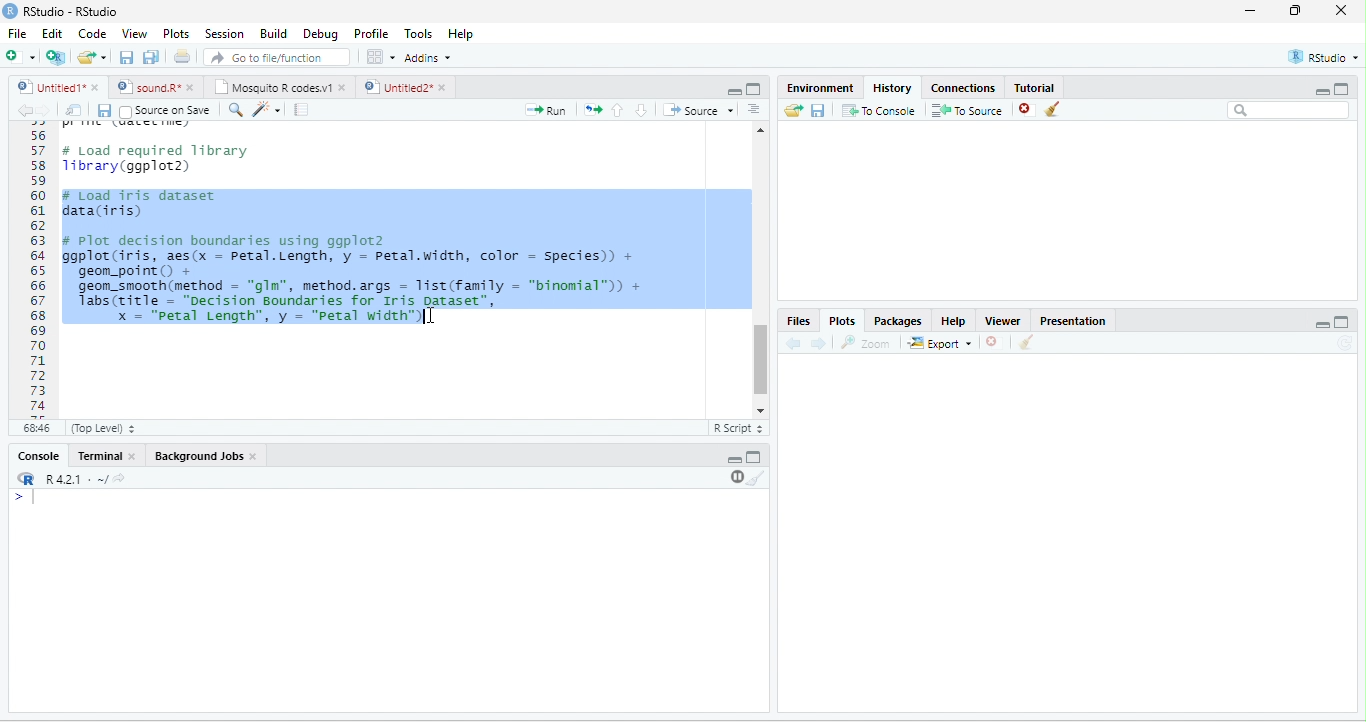 This screenshot has height=722, width=1366. Describe the element at coordinates (148, 87) in the screenshot. I see `sound.R` at that location.